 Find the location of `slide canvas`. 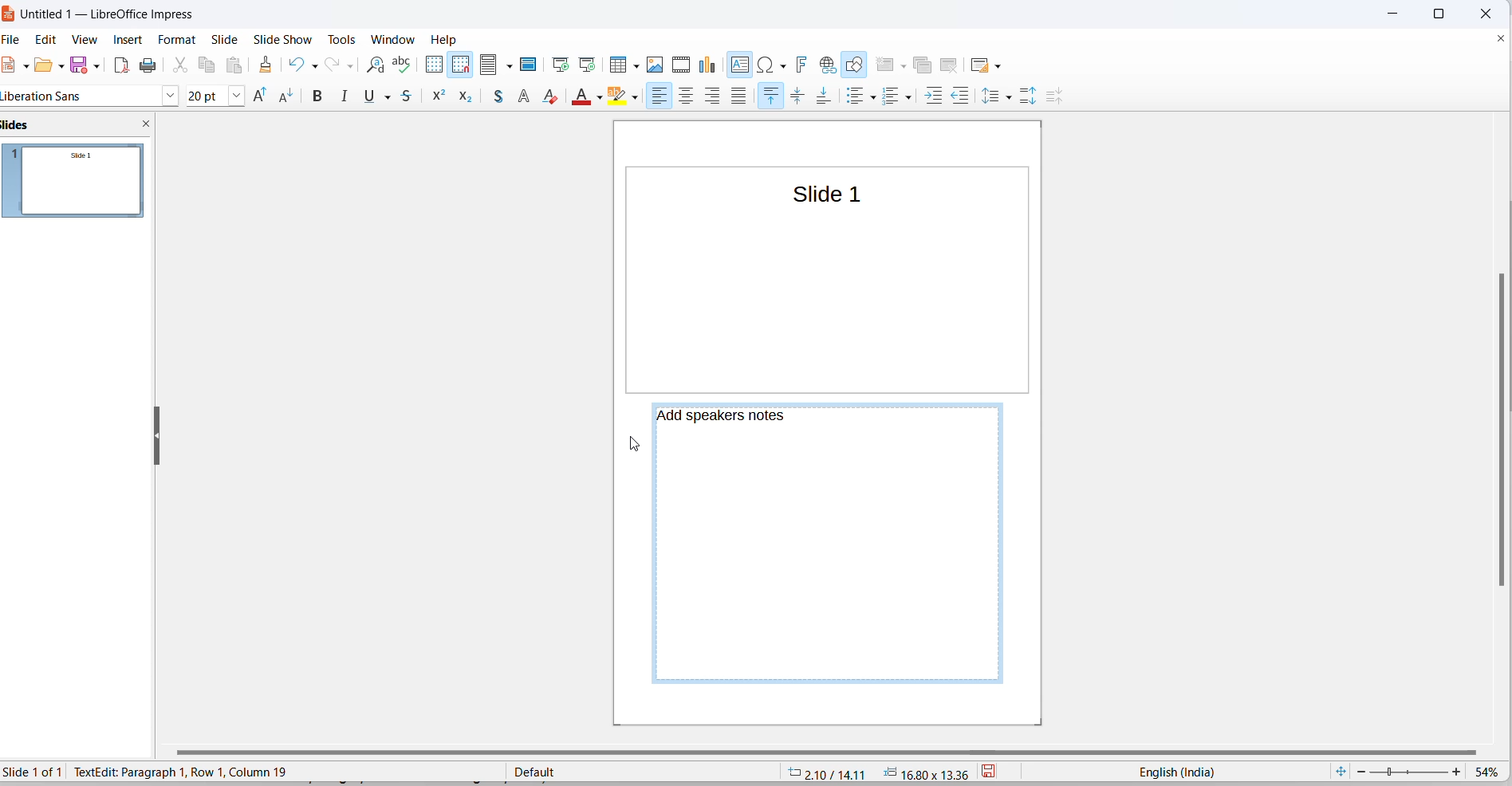

slide canvas is located at coordinates (830, 299).